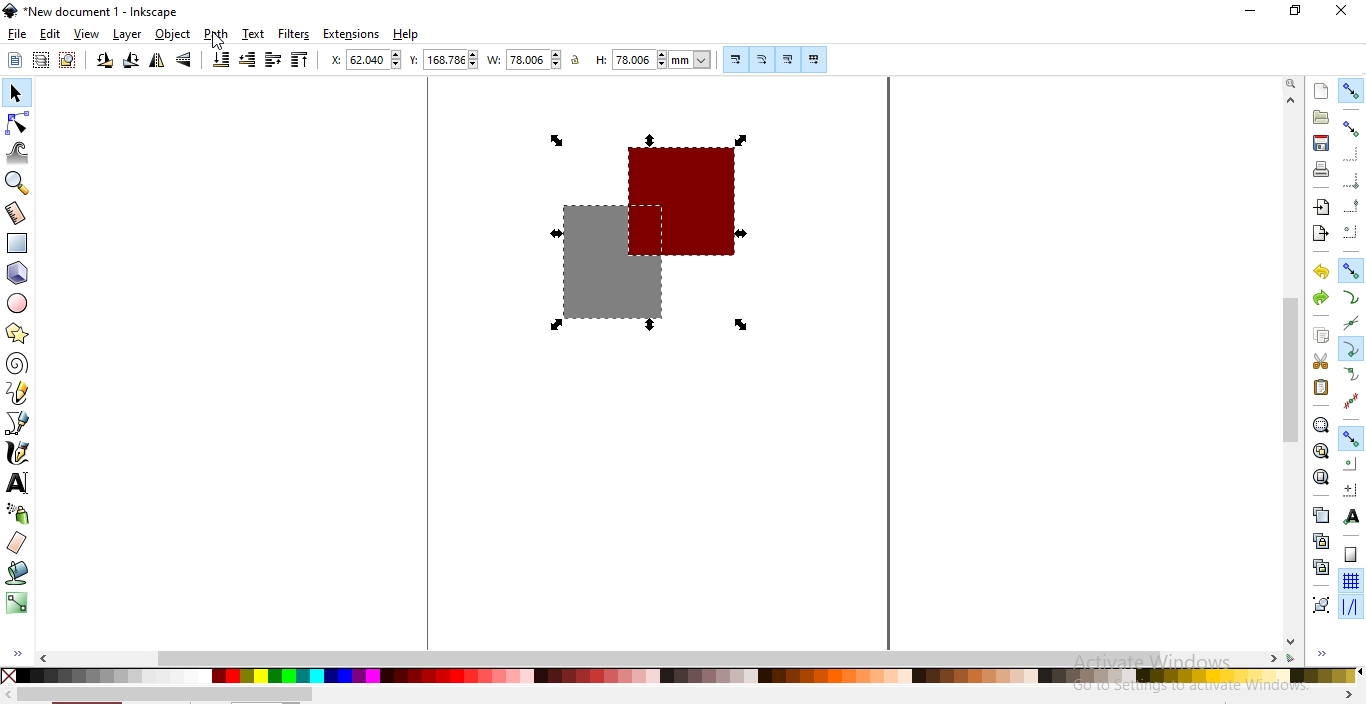 The height and width of the screenshot is (704, 1366). I want to click on new document 1 - Inkscape, so click(92, 11).